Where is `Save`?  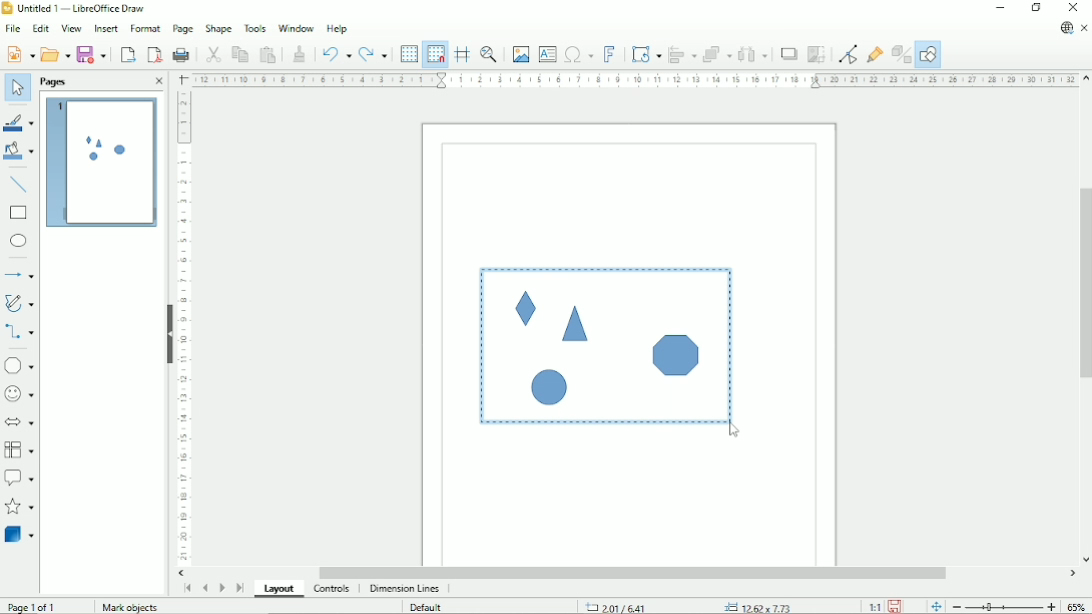 Save is located at coordinates (92, 54).